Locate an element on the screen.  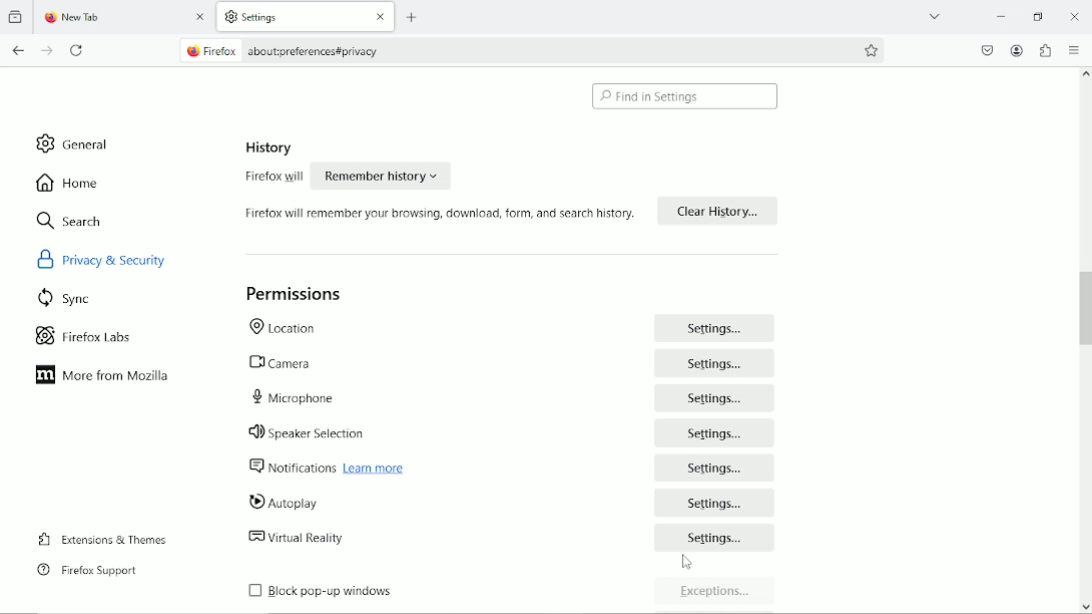
firefox support is located at coordinates (87, 571).